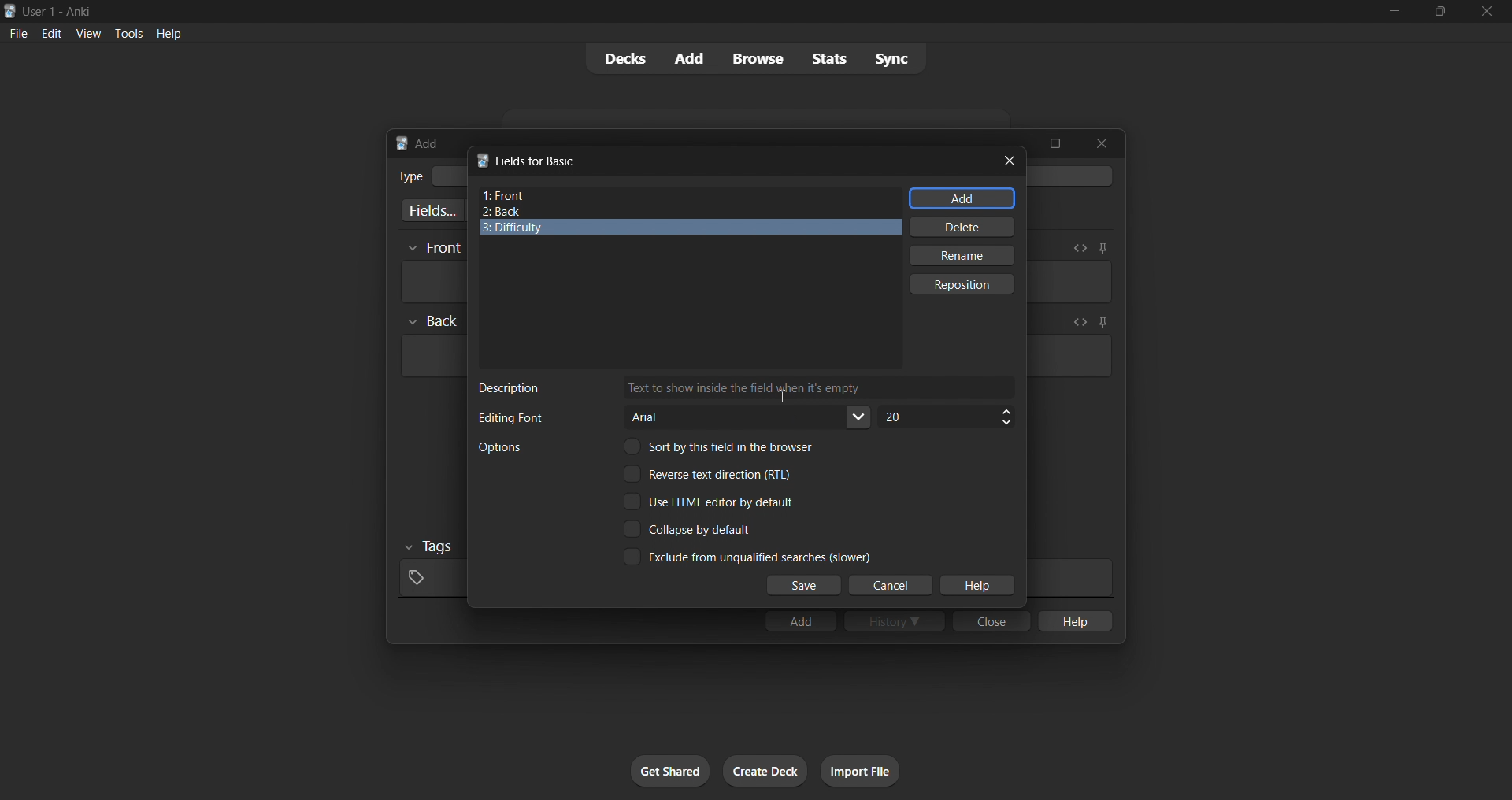 The width and height of the screenshot is (1512, 800). Describe the element at coordinates (670, 771) in the screenshot. I see `get shared` at that location.